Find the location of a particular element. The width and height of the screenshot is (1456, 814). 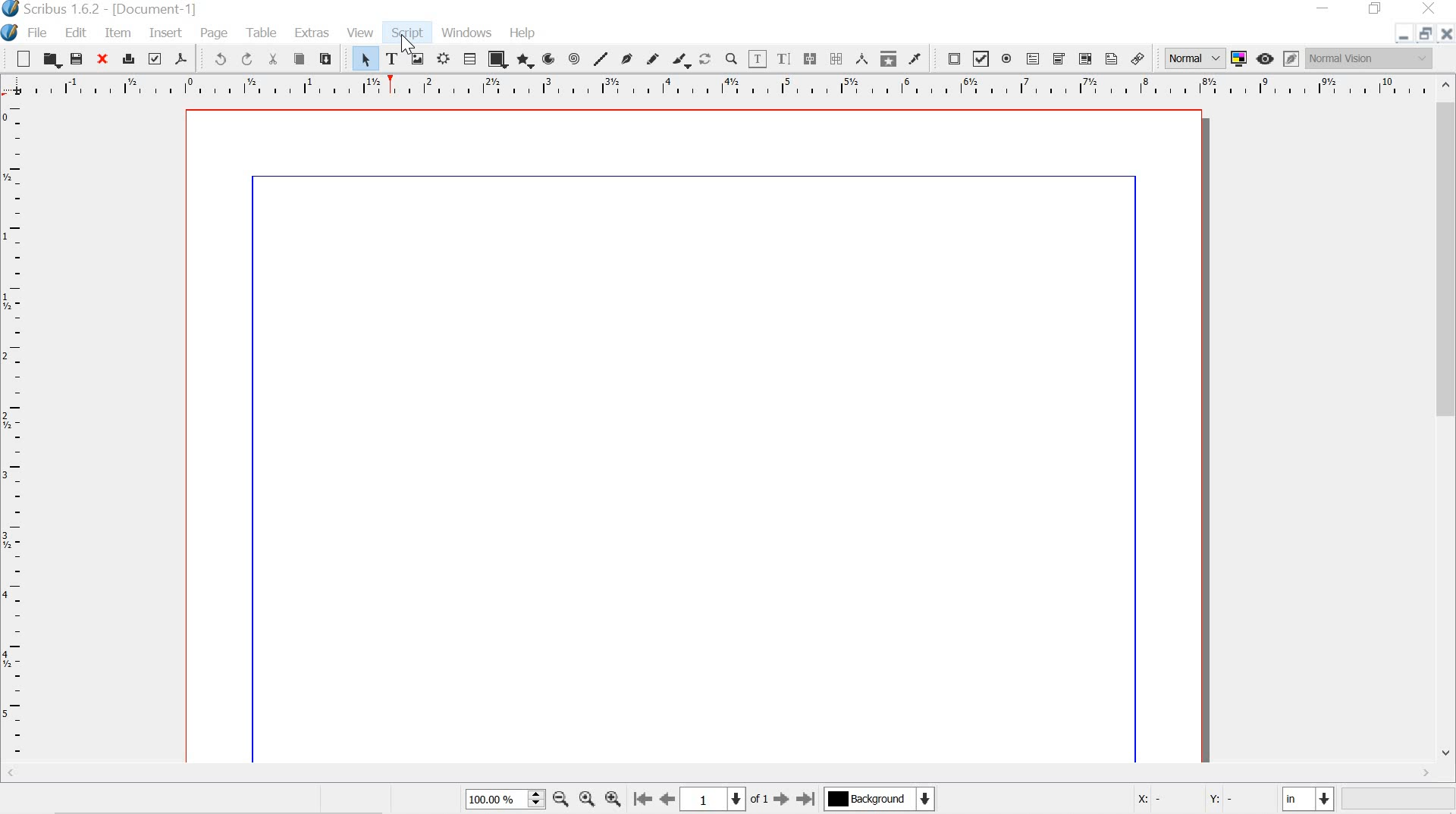

close document is located at coordinates (1447, 33).